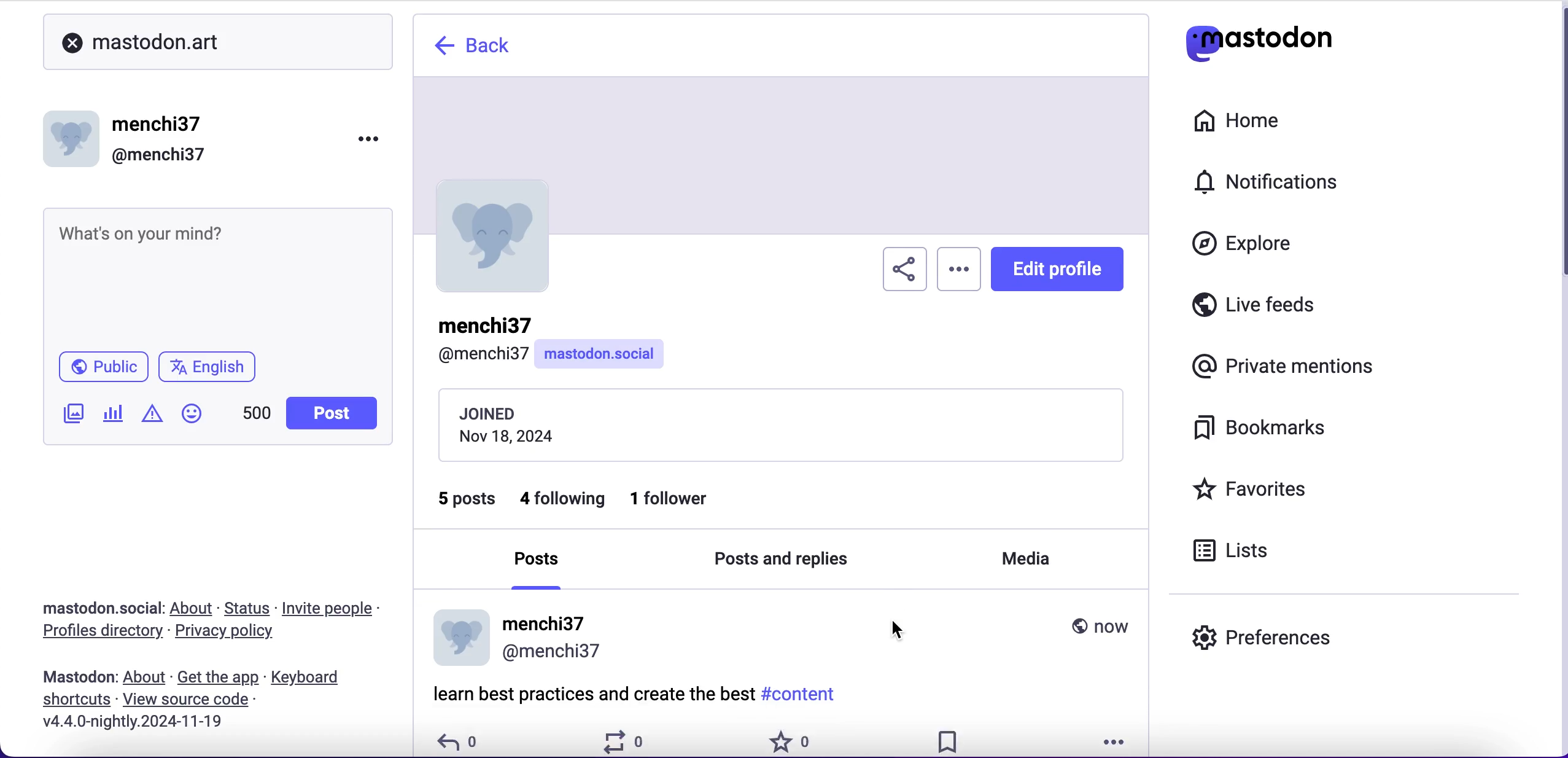 The width and height of the screenshot is (1568, 758). What do you see at coordinates (960, 275) in the screenshot?
I see `options` at bounding box center [960, 275].